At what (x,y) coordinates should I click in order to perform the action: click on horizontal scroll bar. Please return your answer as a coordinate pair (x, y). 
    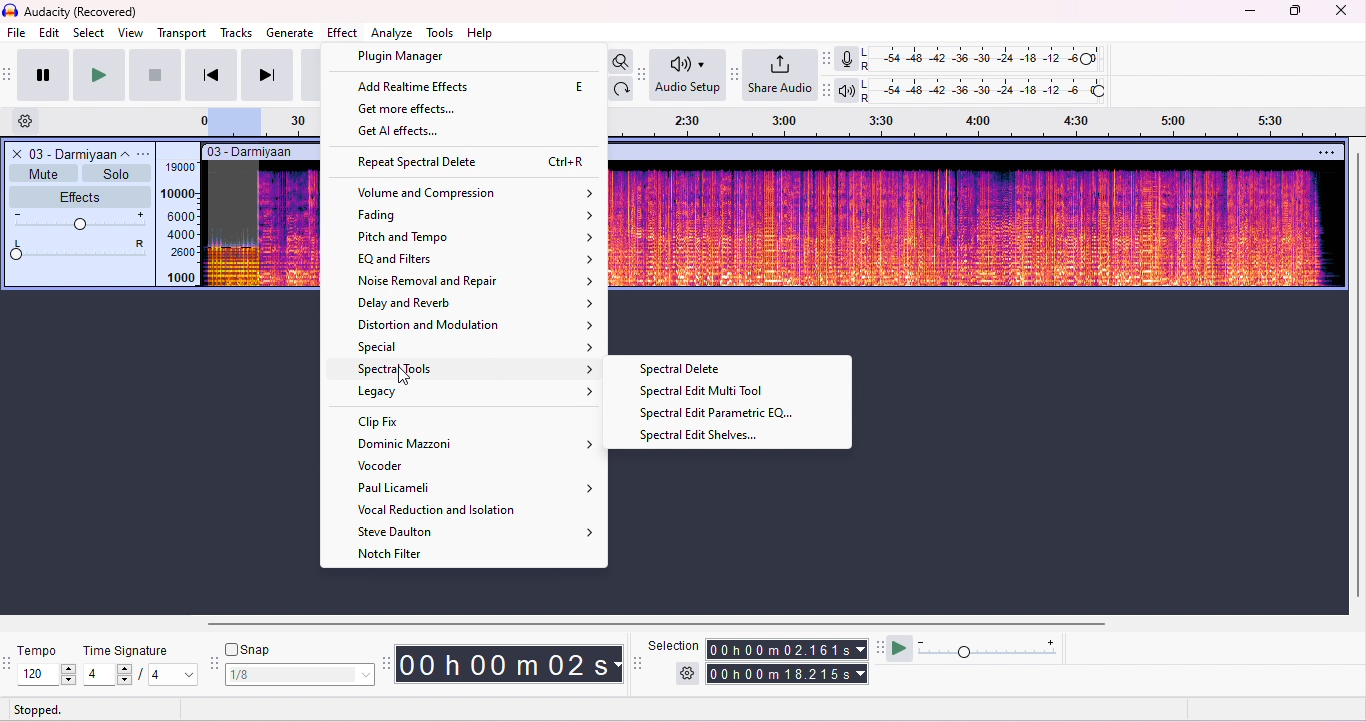
    Looking at the image, I should click on (664, 622).